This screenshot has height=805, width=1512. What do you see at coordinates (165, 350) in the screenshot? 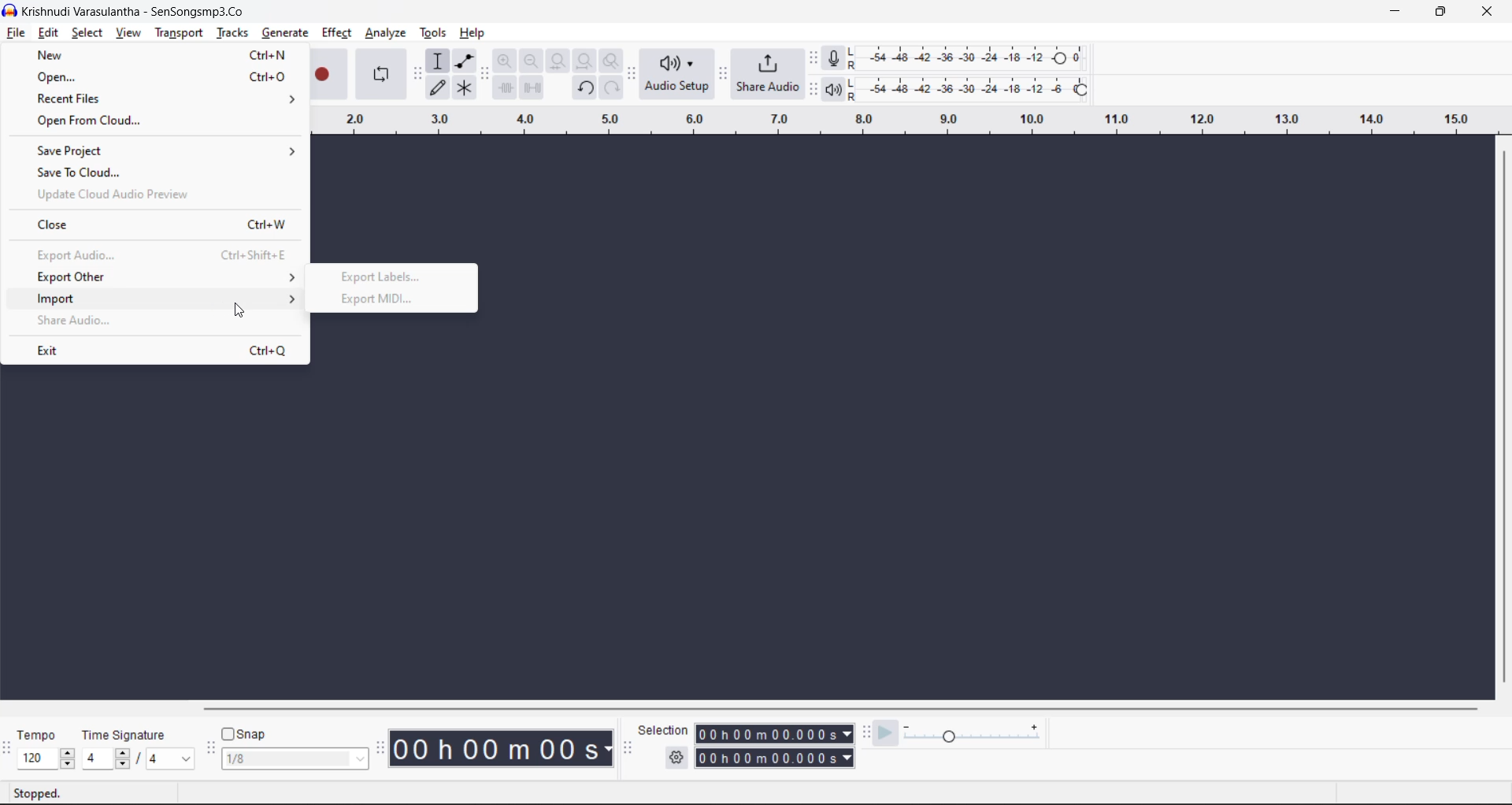
I see `exit` at bounding box center [165, 350].